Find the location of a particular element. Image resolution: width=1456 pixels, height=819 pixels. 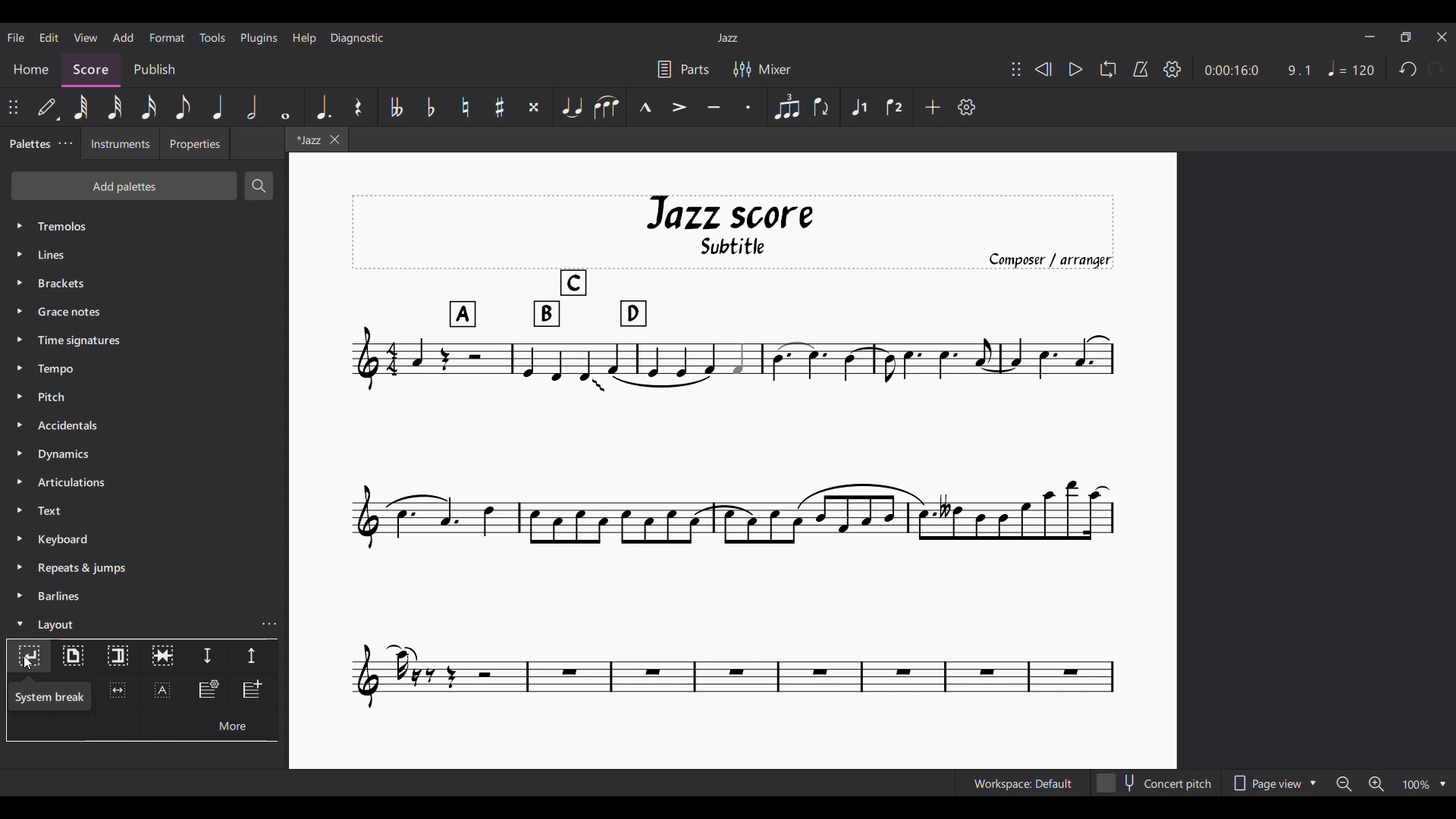

Concert pitch toggle is located at coordinates (1156, 783).